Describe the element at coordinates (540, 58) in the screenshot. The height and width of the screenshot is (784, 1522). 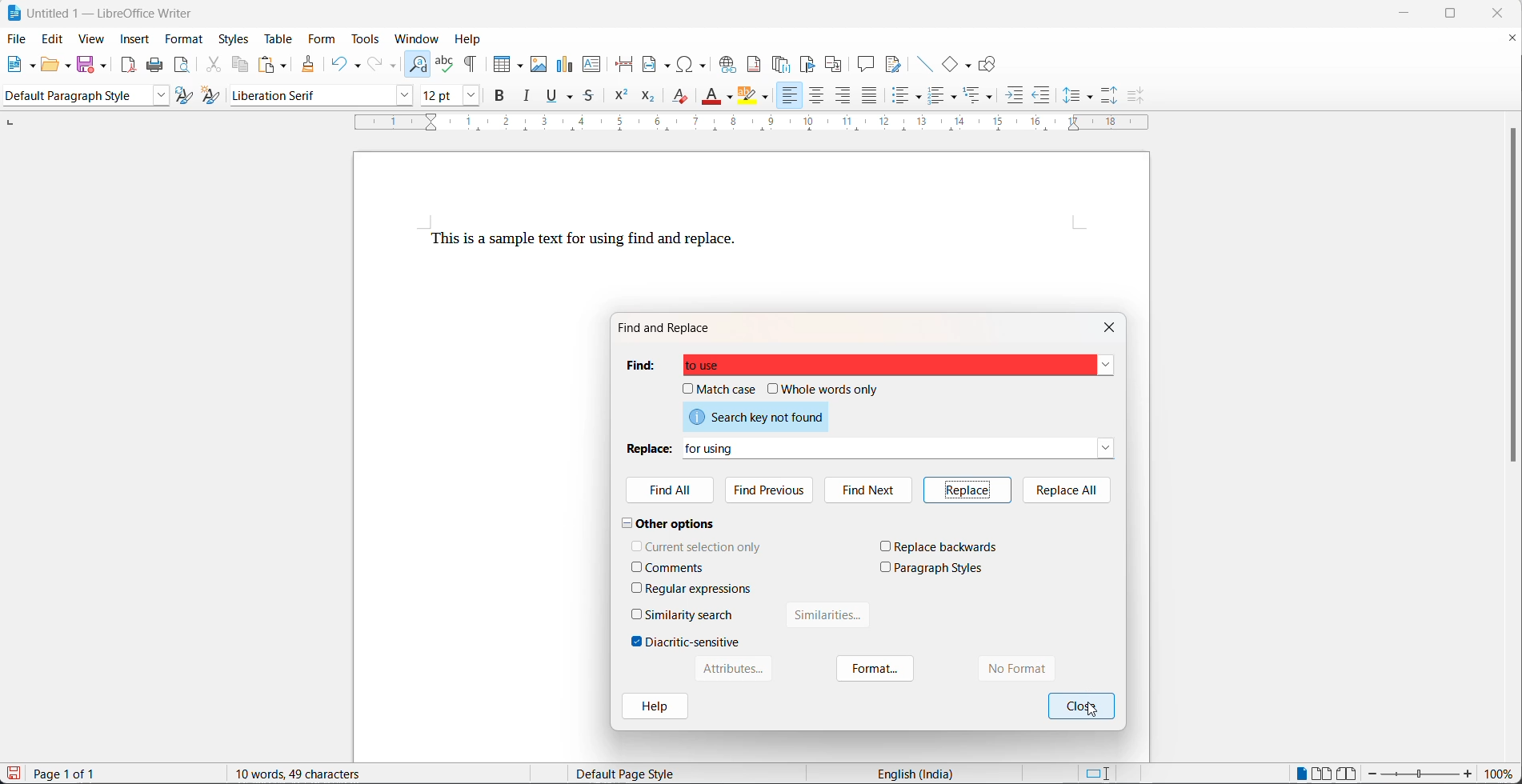
I see `insert images` at that location.